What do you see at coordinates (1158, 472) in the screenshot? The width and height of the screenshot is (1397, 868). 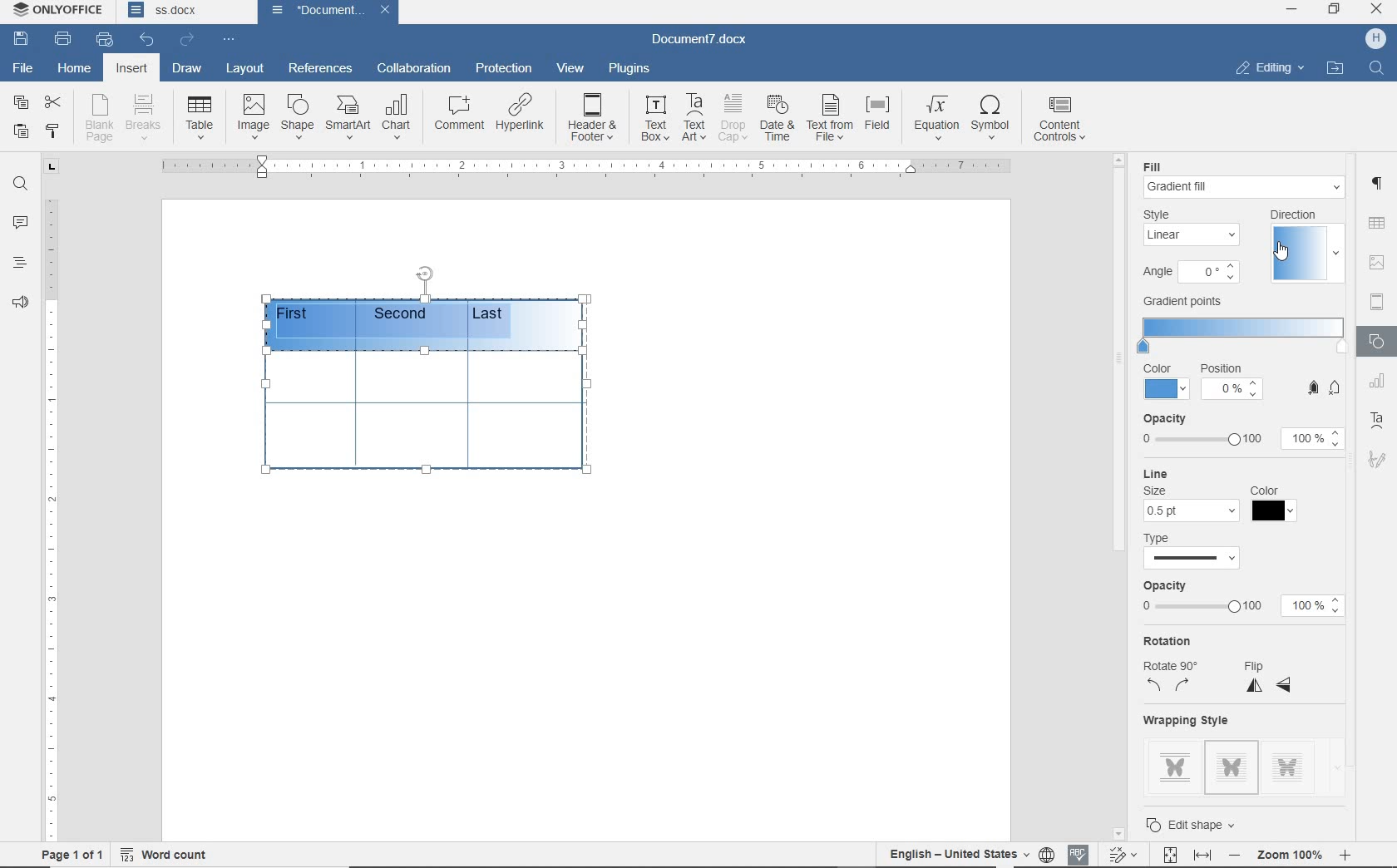 I see `line` at bounding box center [1158, 472].